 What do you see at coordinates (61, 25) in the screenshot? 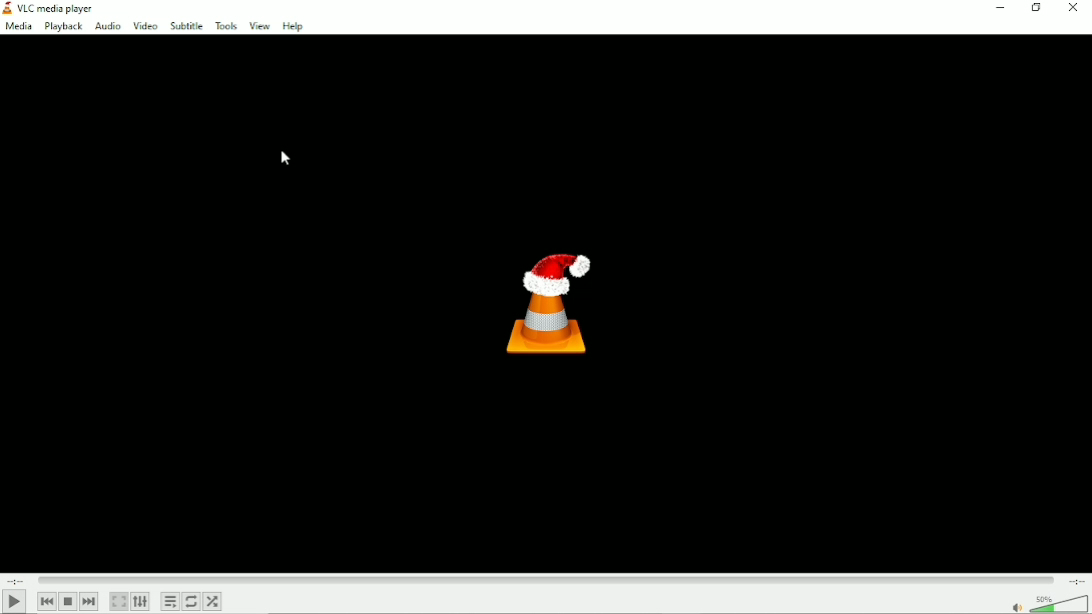
I see `Playback` at bounding box center [61, 25].